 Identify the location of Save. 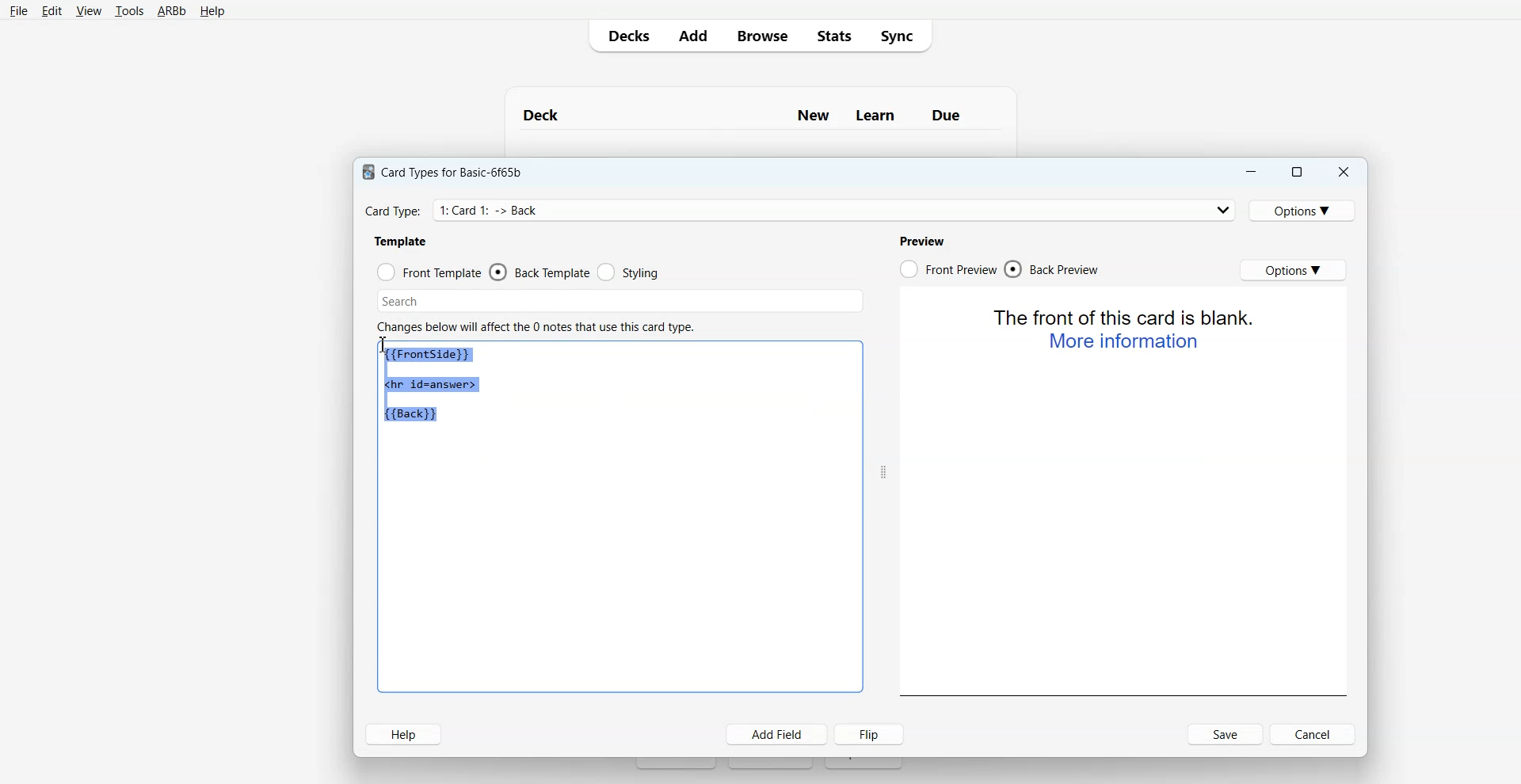
(1225, 734).